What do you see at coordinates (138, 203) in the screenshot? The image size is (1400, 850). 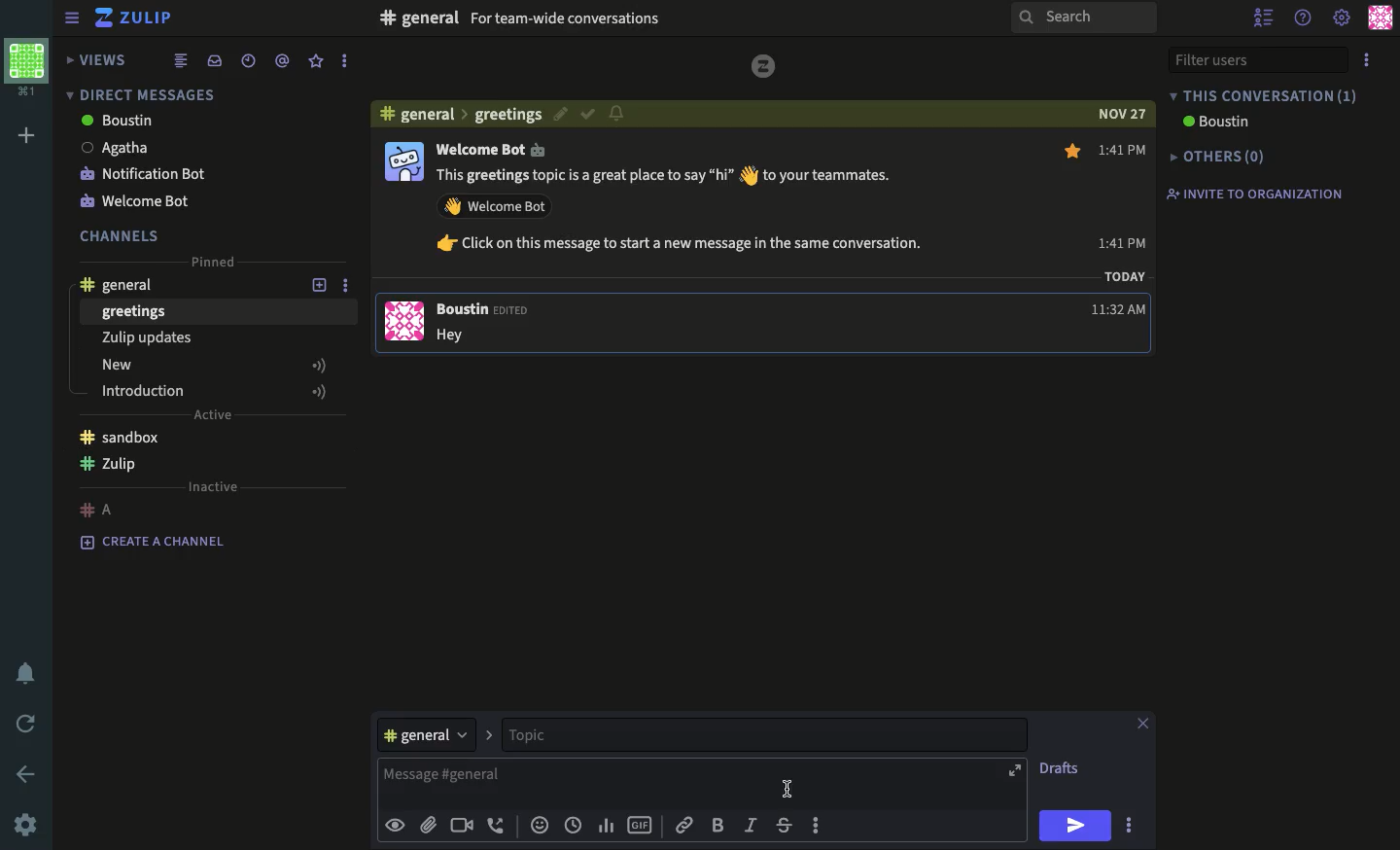 I see `welcome bot` at bounding box center [138, 203].